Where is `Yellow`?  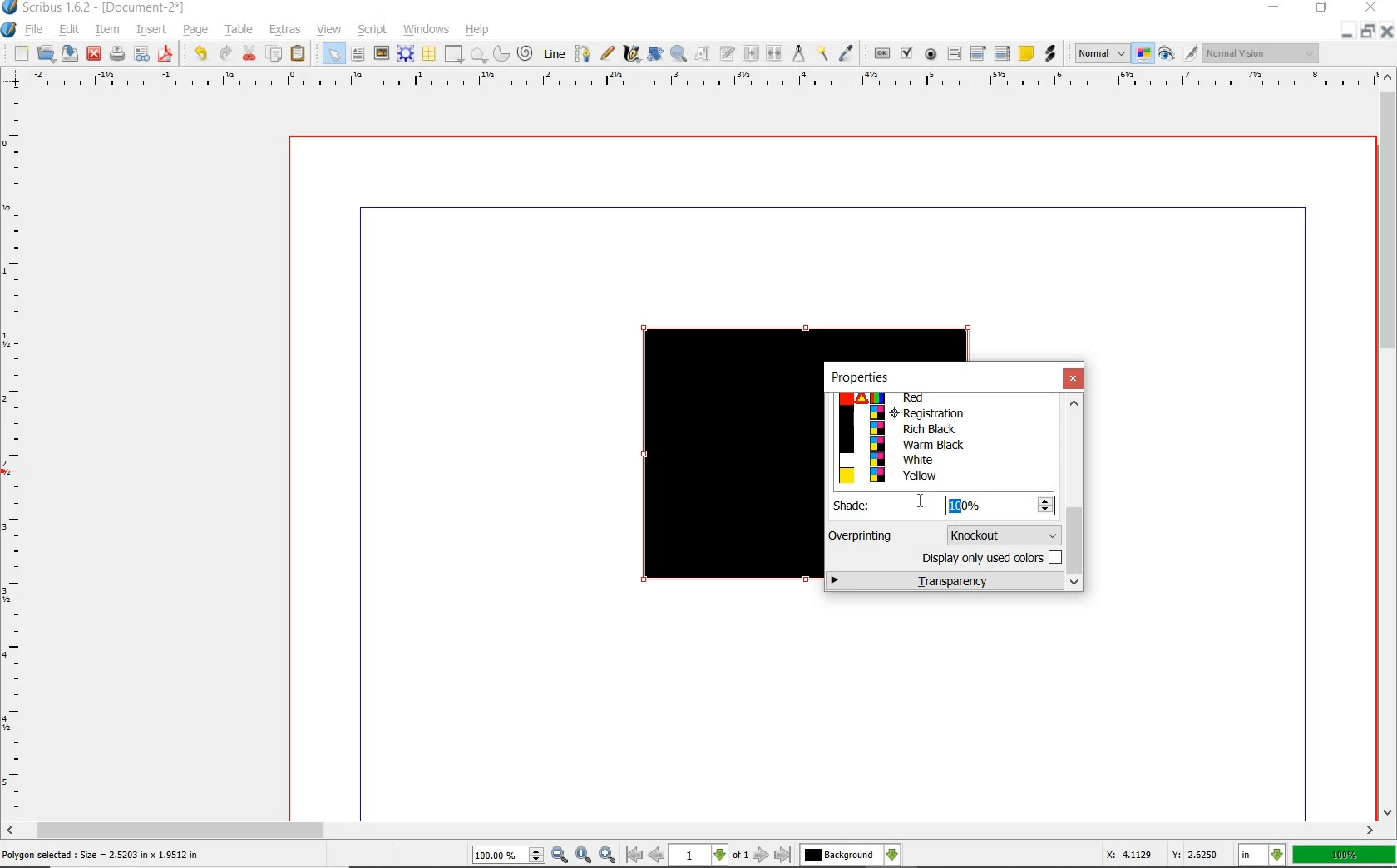
Yellow is located at coordinates (941, 476).